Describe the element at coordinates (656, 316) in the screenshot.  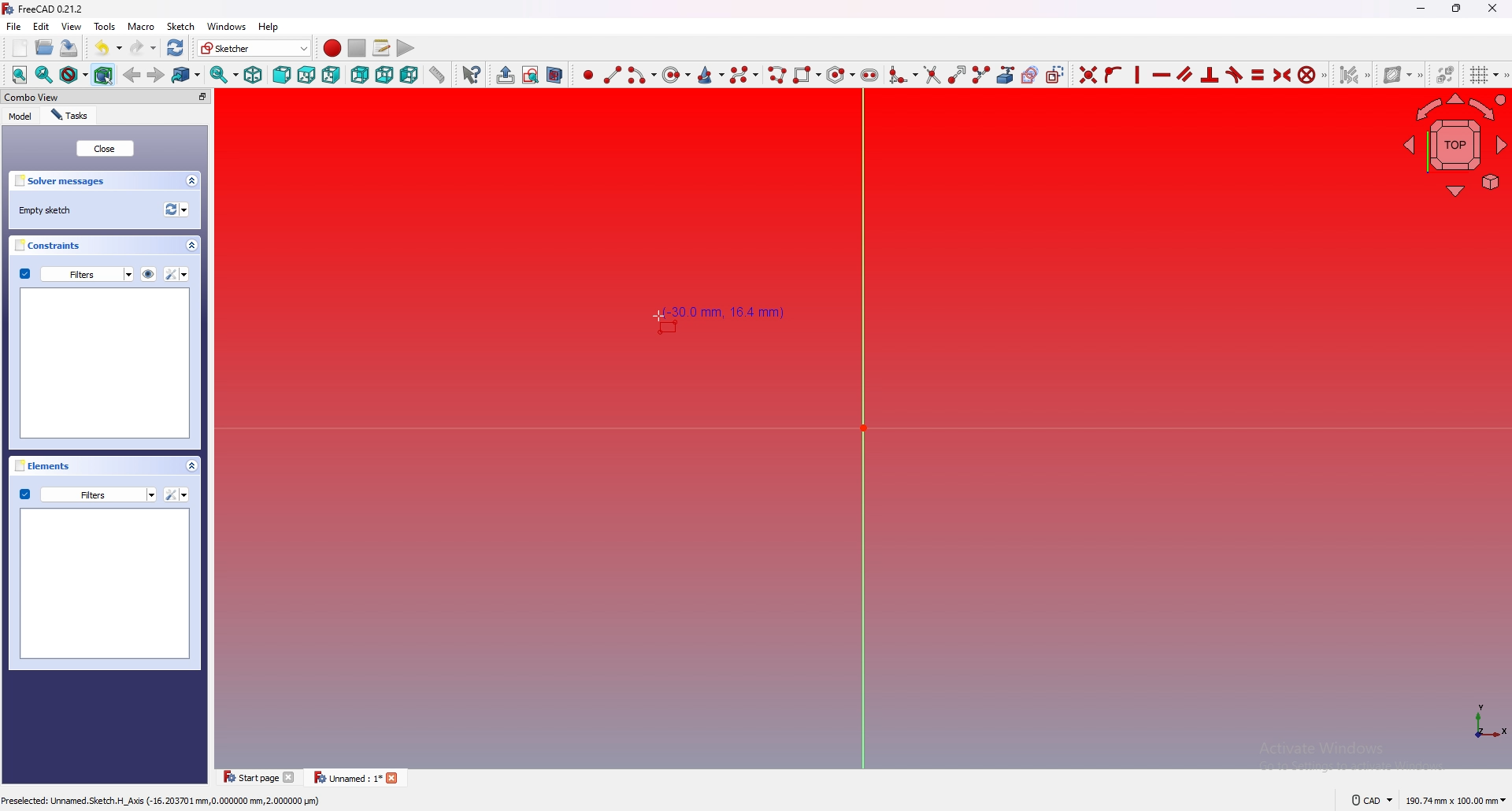
I see `pointer` at that location.